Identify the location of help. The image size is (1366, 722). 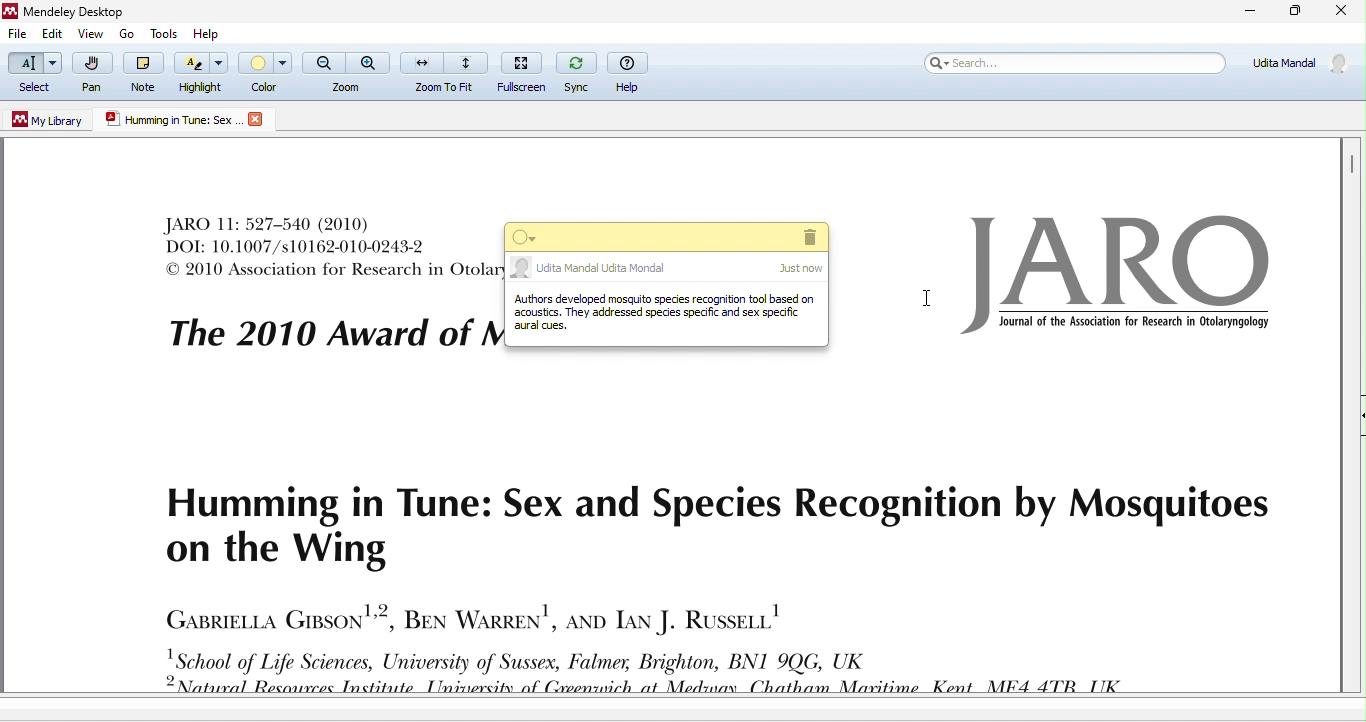
(632, 73).